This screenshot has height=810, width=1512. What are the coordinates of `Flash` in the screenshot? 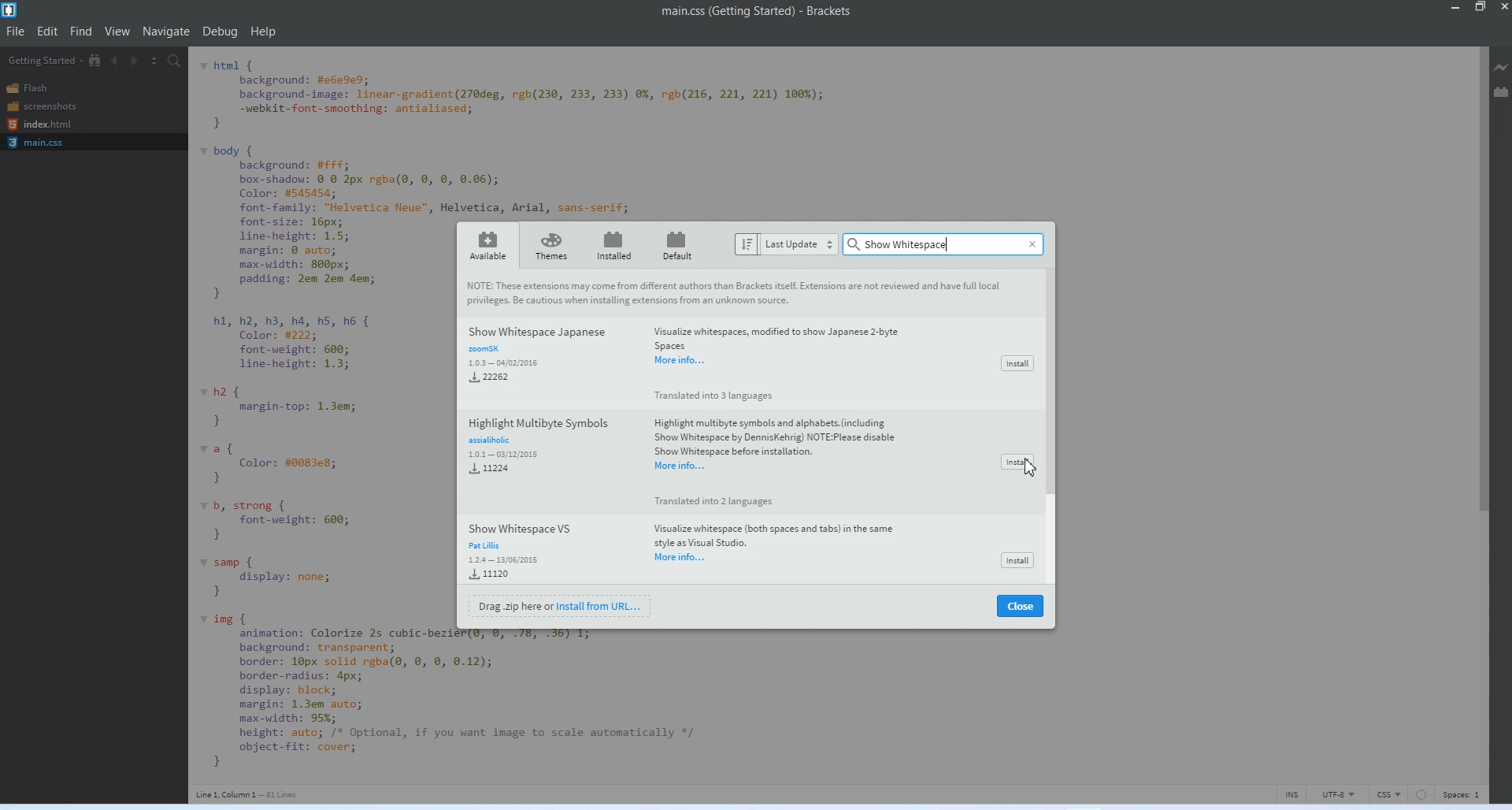 It's located at (34, 87).